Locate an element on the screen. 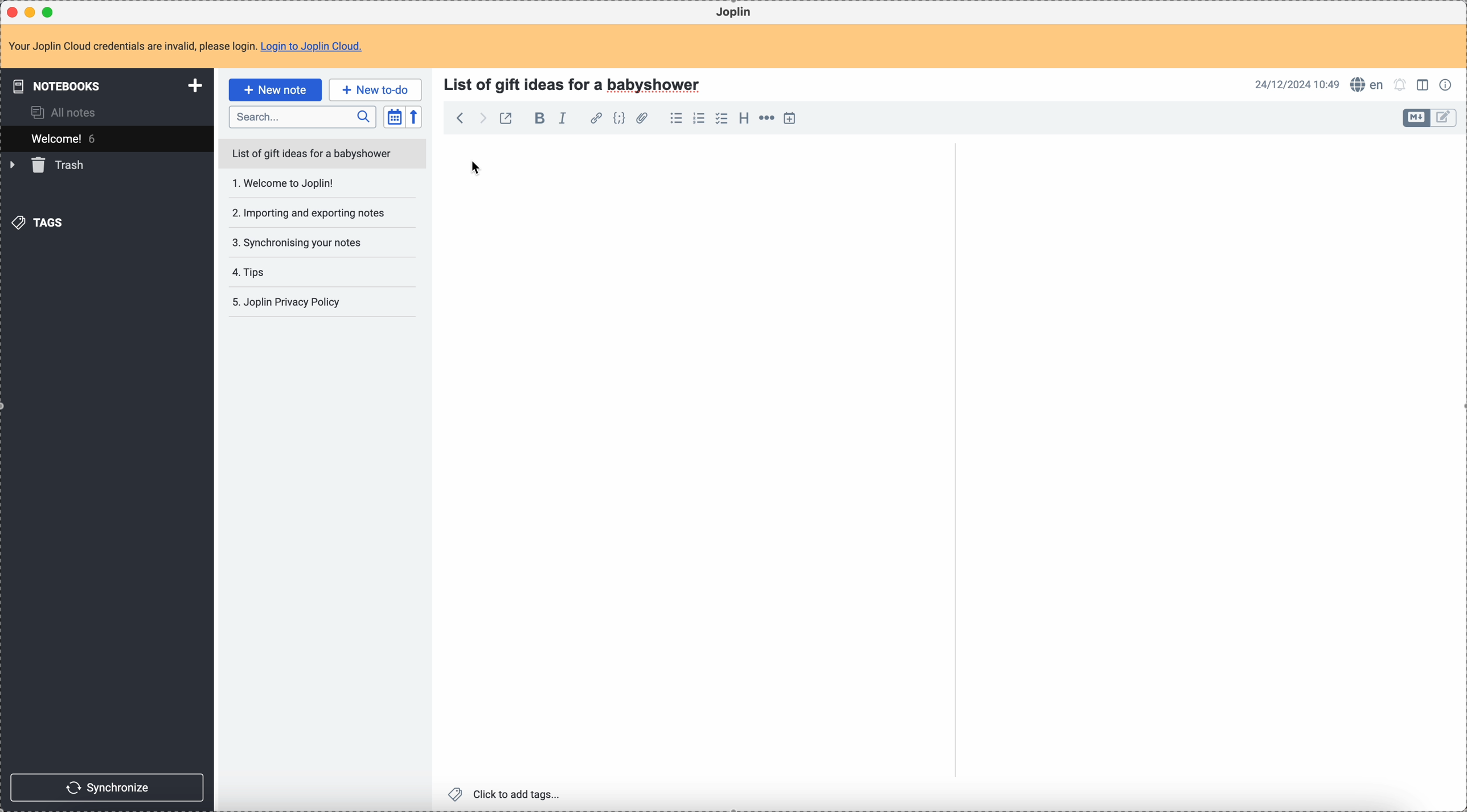 The width and height of the screenshot is (1467, 812). Welcome to joplin is located at coordinates (310, 186).